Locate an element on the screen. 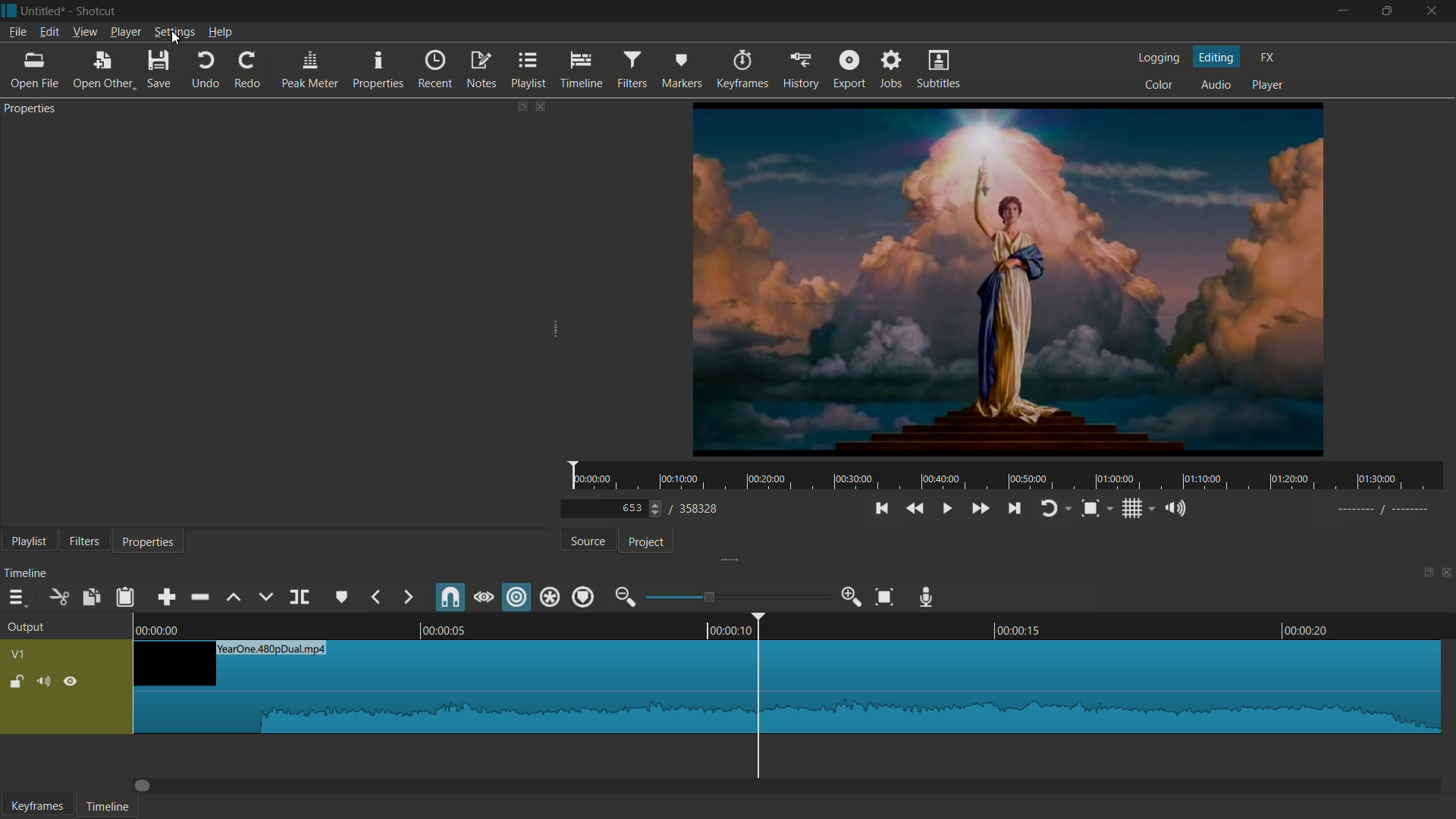 This screenshot has width=1456, height=819. ripple markers is located at coordinates (585, 598).